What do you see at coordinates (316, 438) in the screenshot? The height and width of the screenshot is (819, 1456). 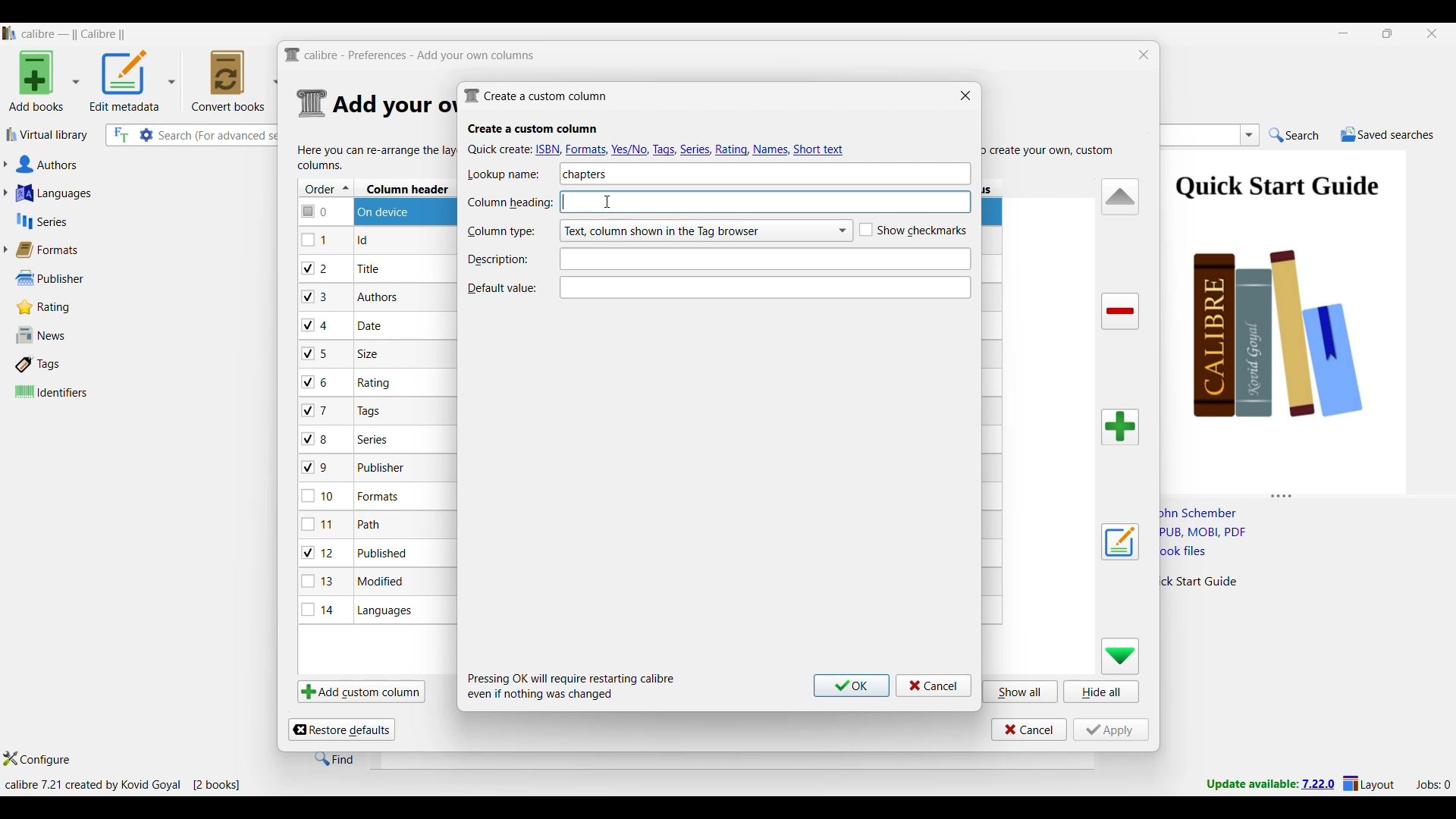 I see `checkbox - 8` at bounding box center [316, 438].